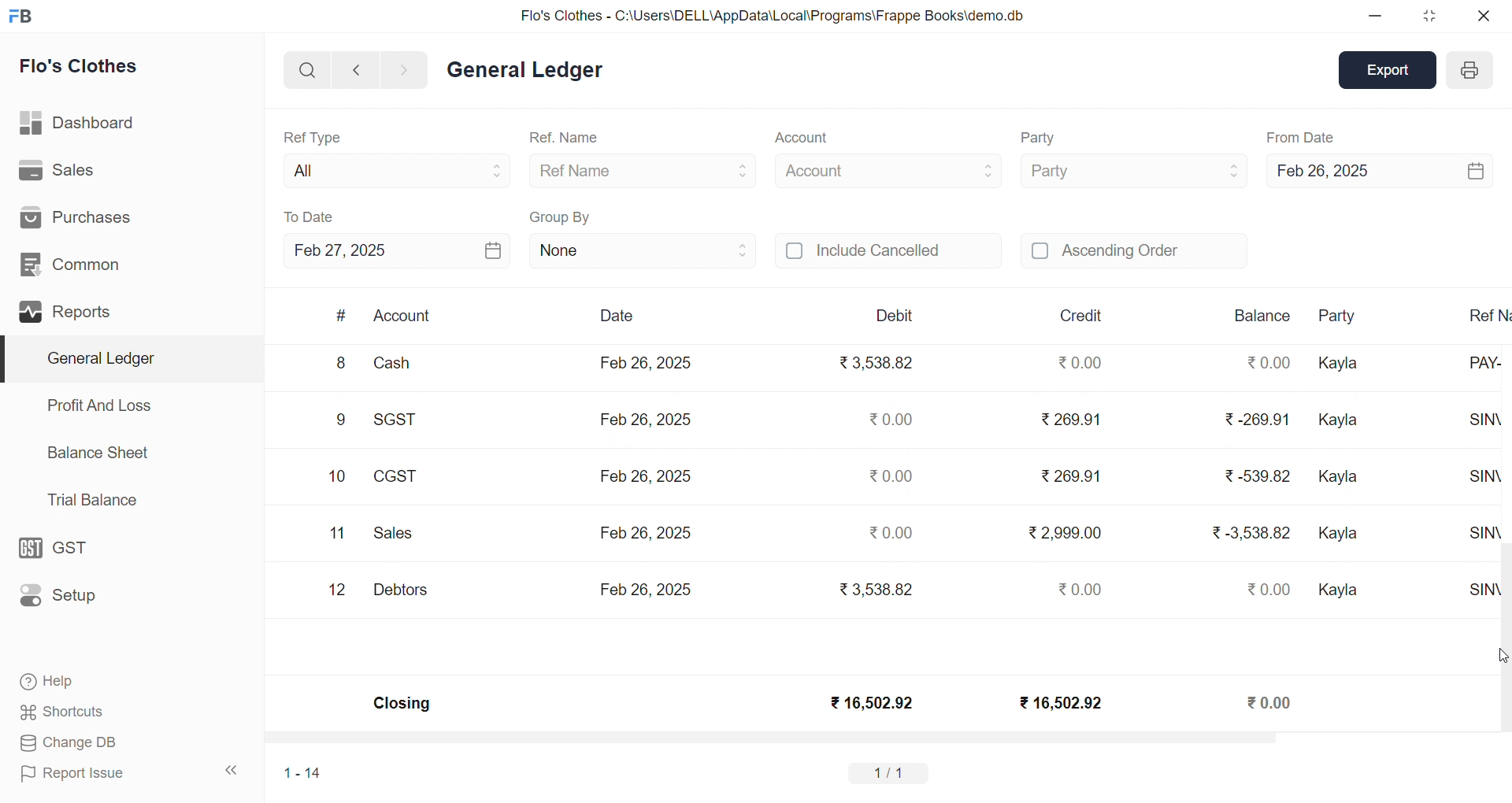 The image size is (1512, 803). Describe the element at coordinates (232, 770) in the screenshot. I see `COLLAPSE SIDE BAR` at that location.